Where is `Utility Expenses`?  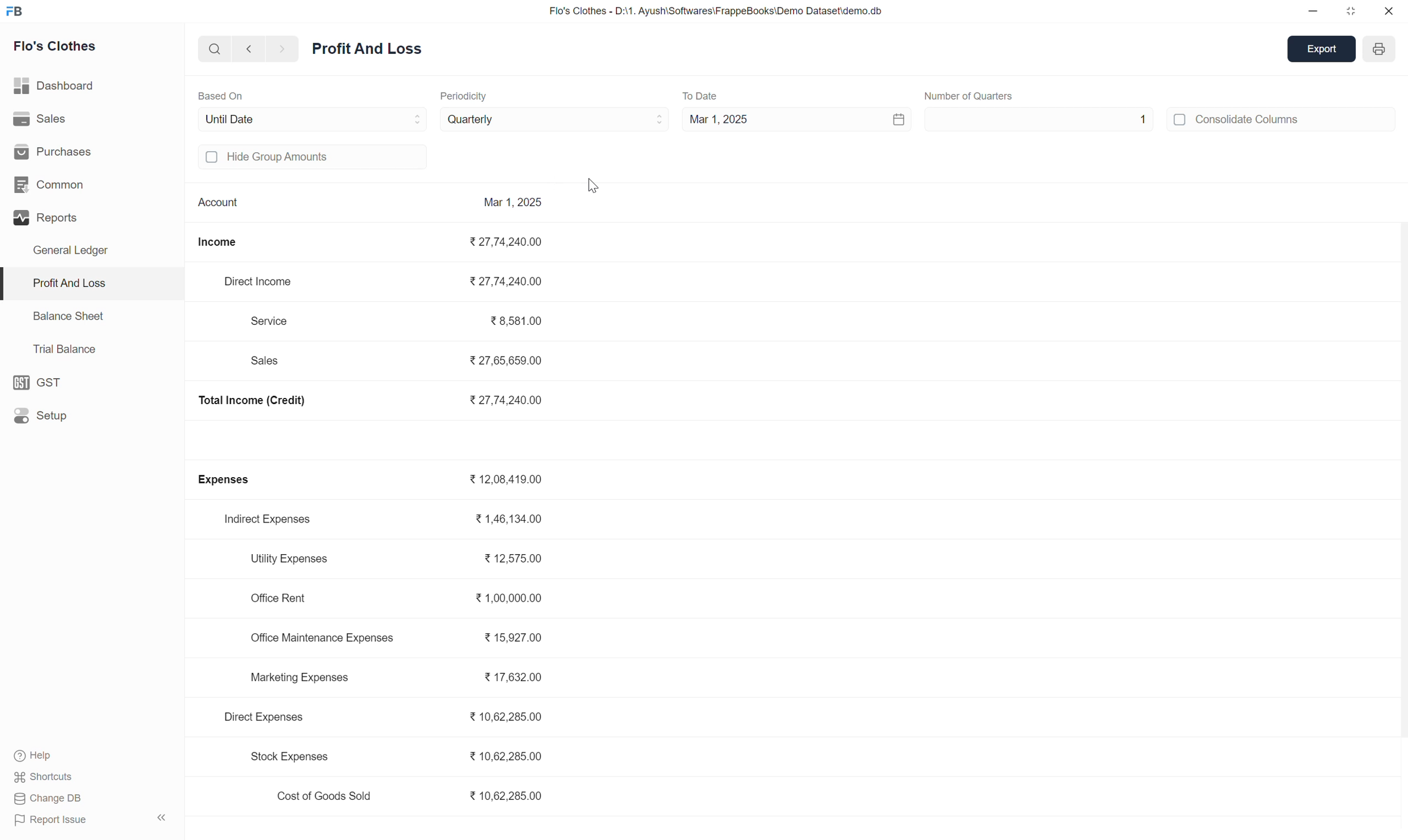
Utility Expenses is located at coordinates (289, 556).